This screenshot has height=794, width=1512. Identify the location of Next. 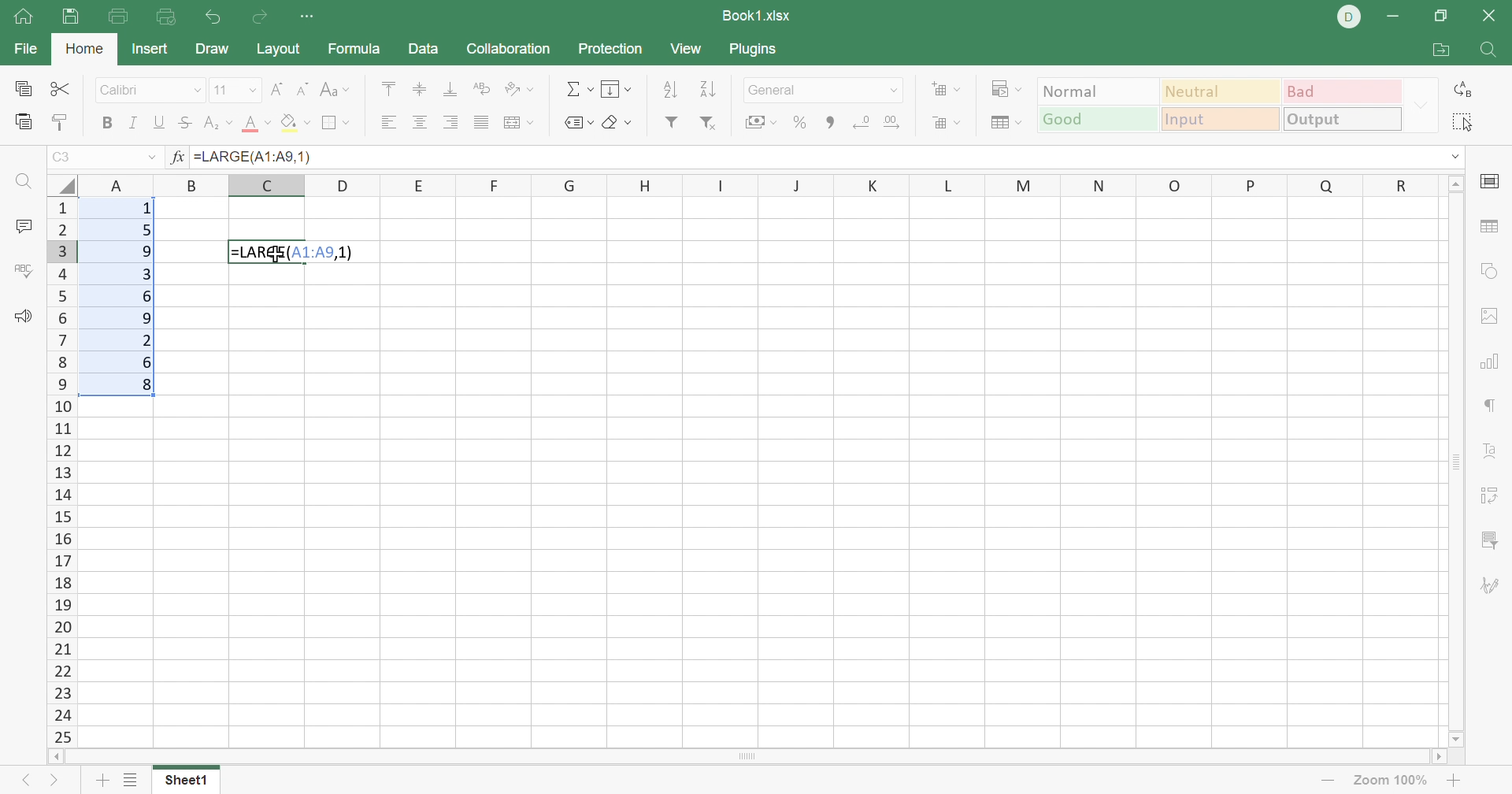
(50, 784).